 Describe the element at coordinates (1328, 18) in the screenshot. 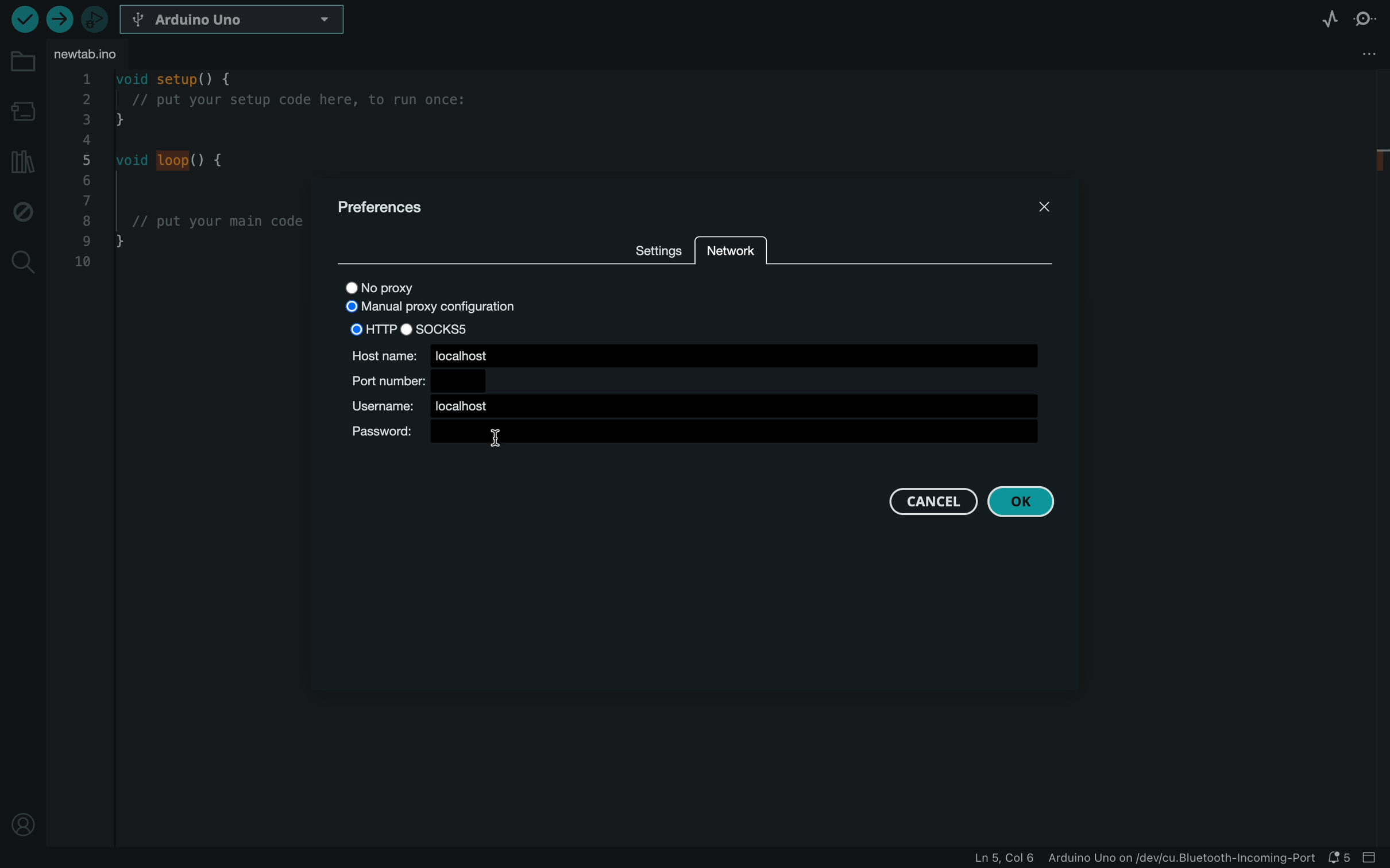

I see `serial plotter` at that location.